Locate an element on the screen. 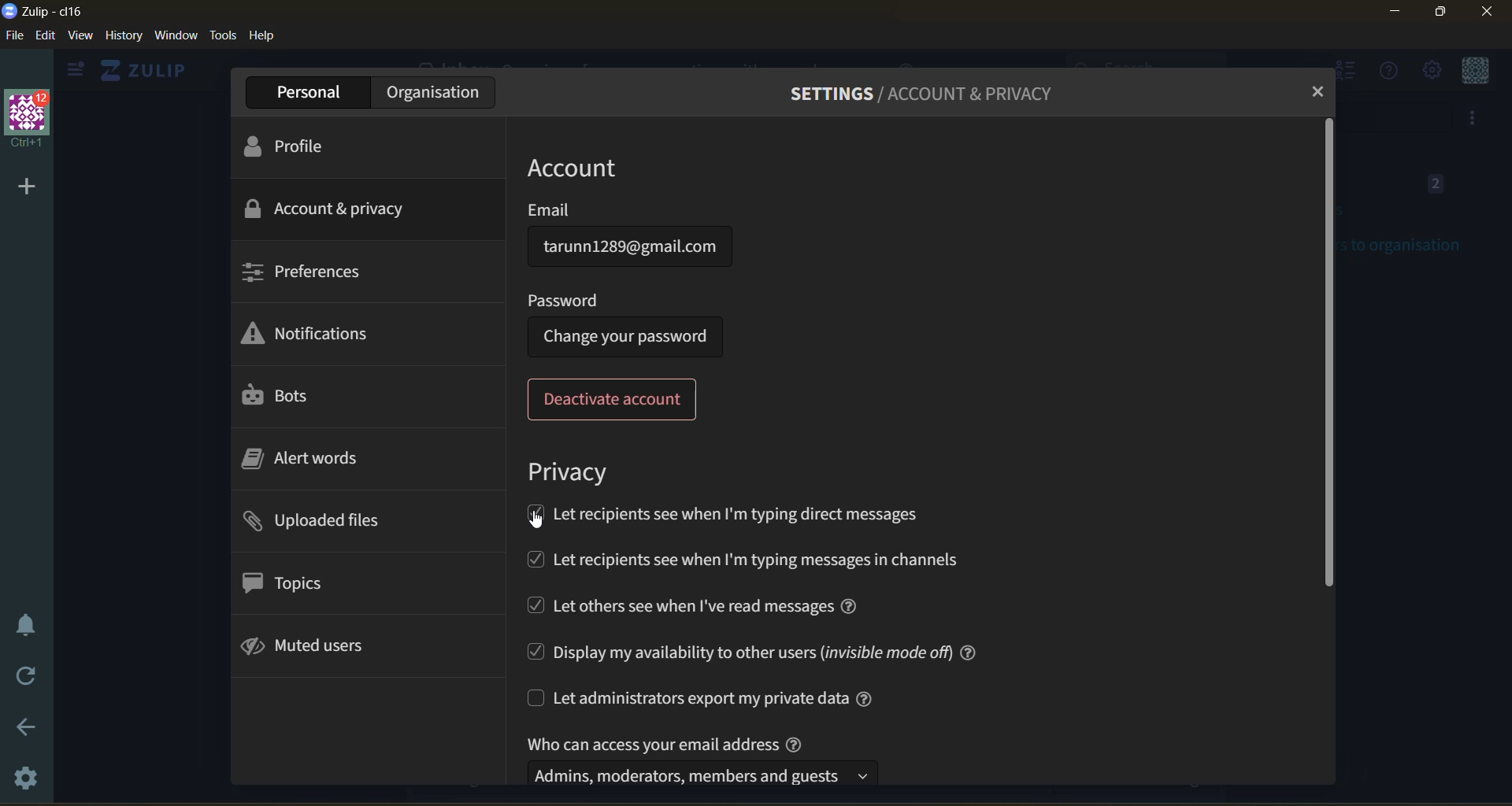 The width and height of the screenshot is (1512, 806). file is located at coordinates (13, 38).